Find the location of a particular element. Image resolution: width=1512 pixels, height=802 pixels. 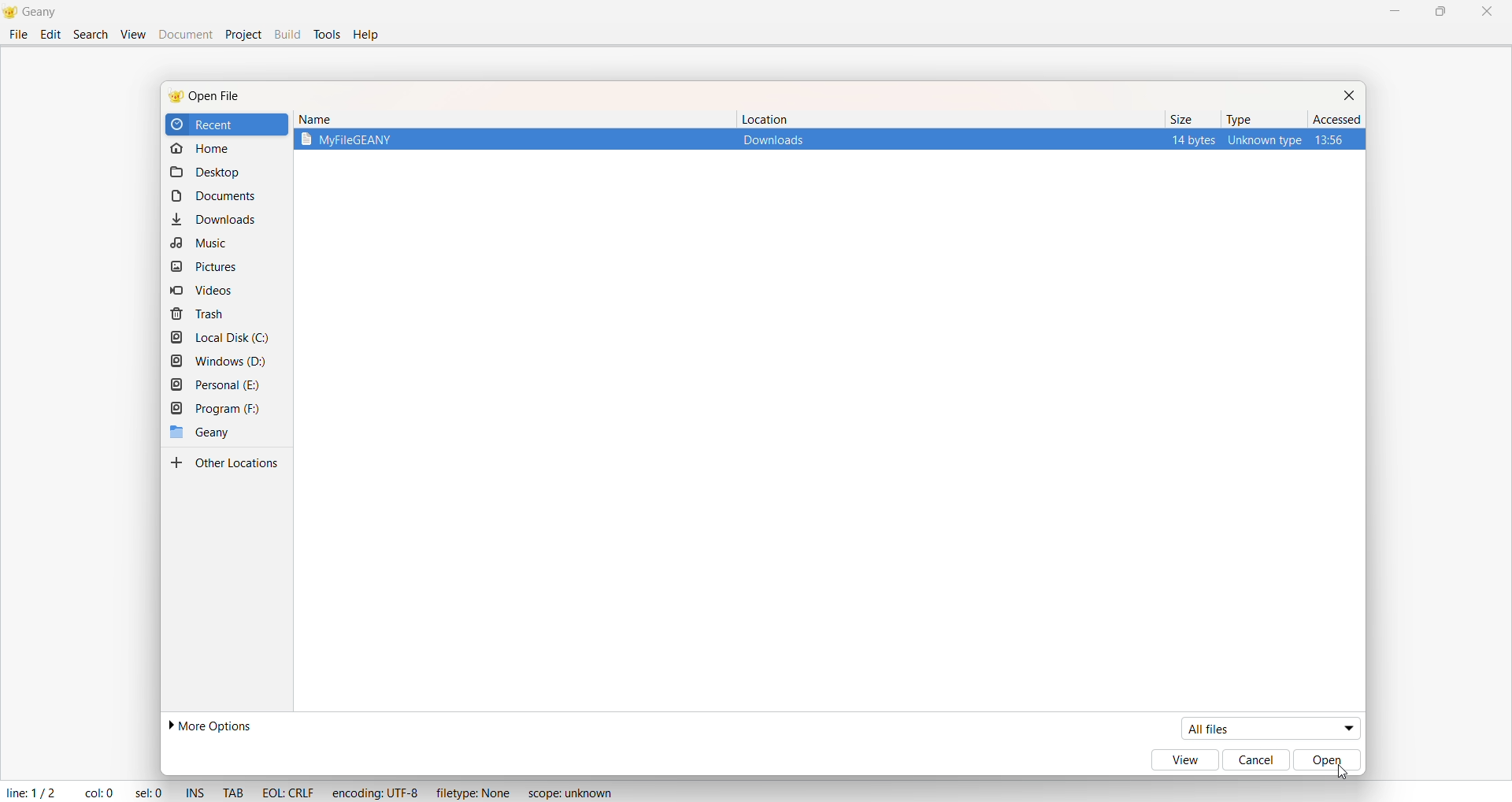

Edit is located at coordinates (50, 35).